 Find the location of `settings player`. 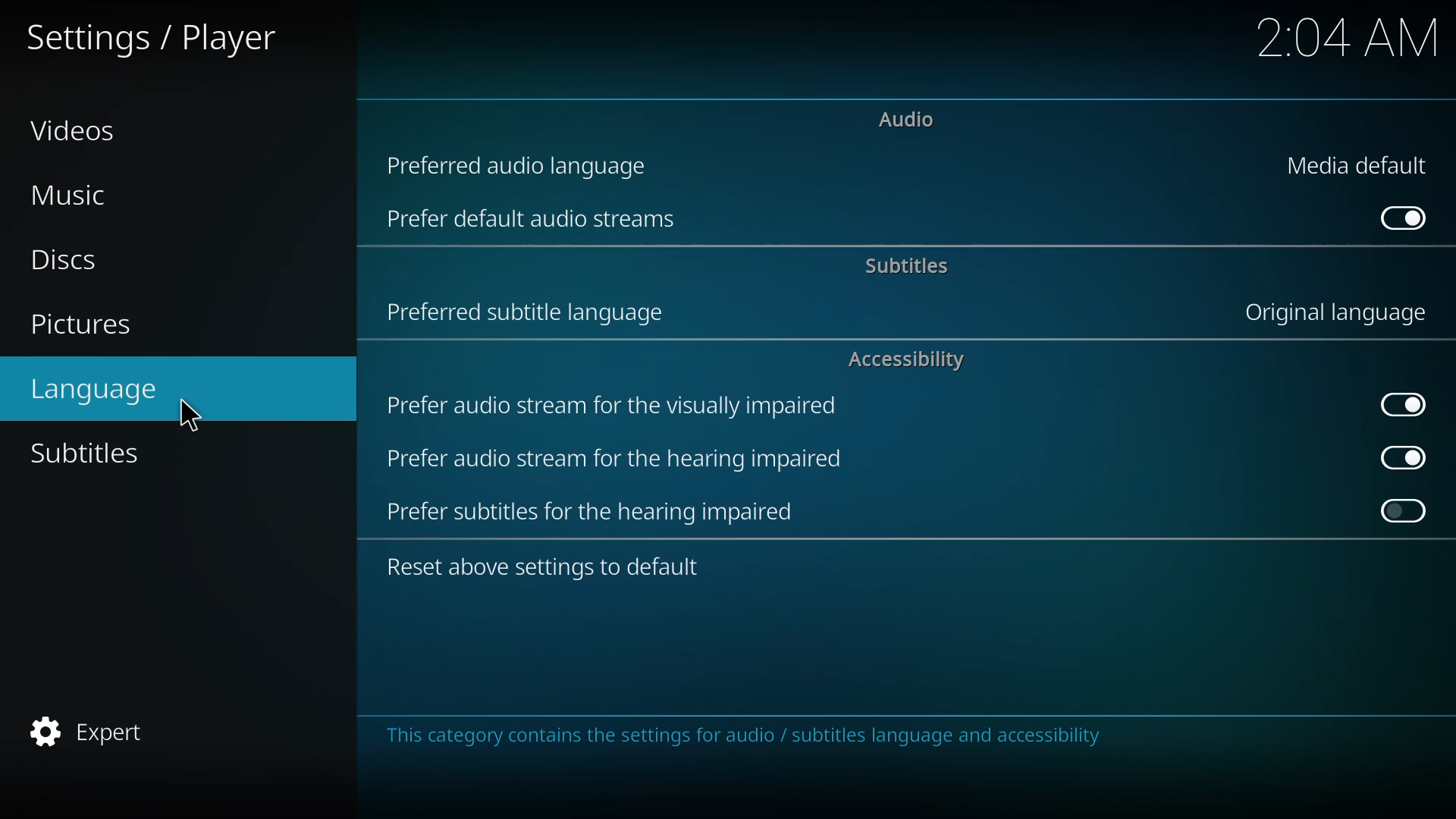

settings player is located at coordinates (148, 36).